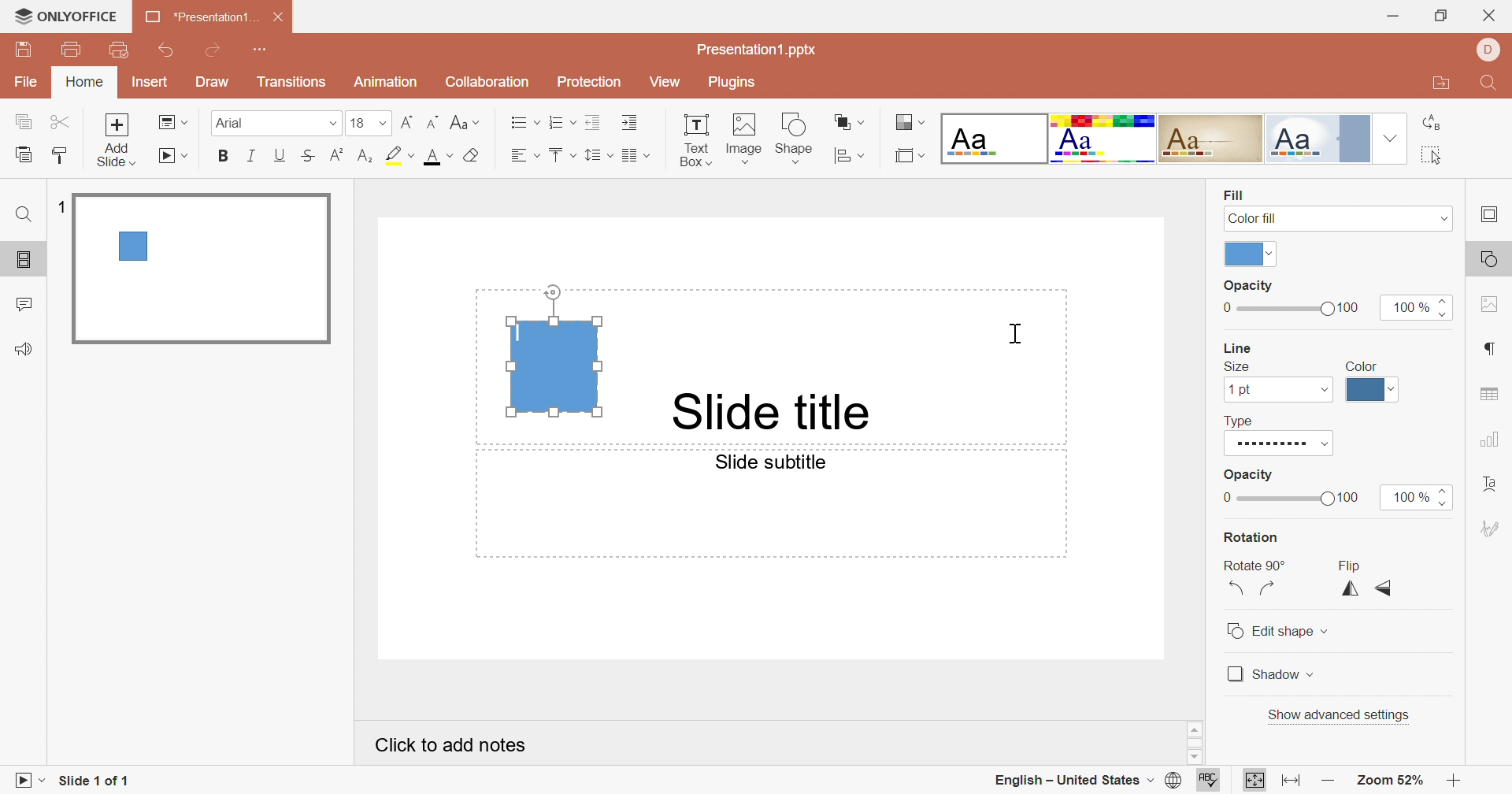 The height and width of the screenshot is (794, 1512). What do you see at coordinates (1247, 288) in the screenshot?
I see `Opacity` at bounding box center [1247, 288].